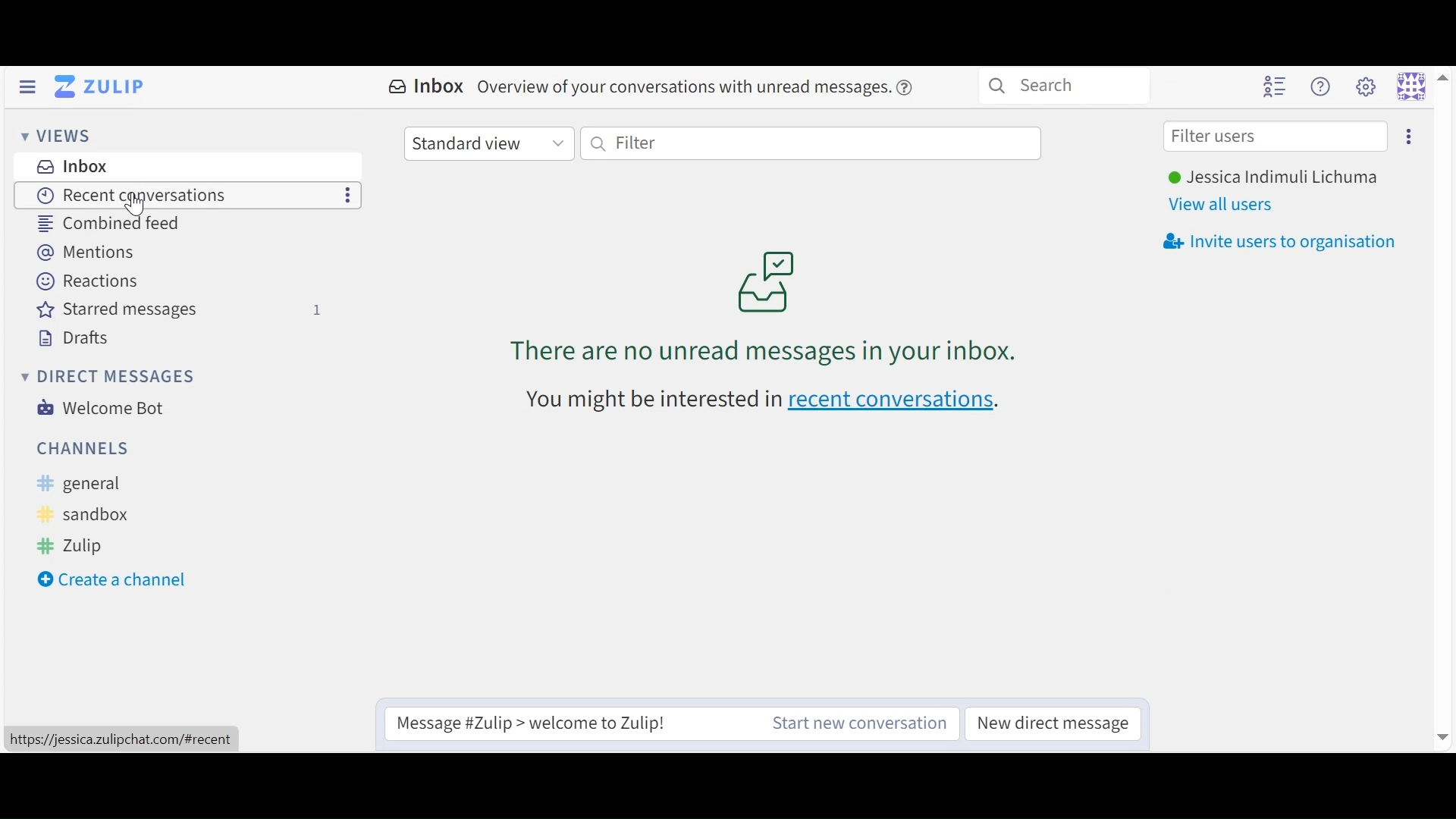 This screenshot has width=1456, height=819. What do you see at coordinates (682, 88) in the screenshot?
I see `message` at bounding box center [682, 88].